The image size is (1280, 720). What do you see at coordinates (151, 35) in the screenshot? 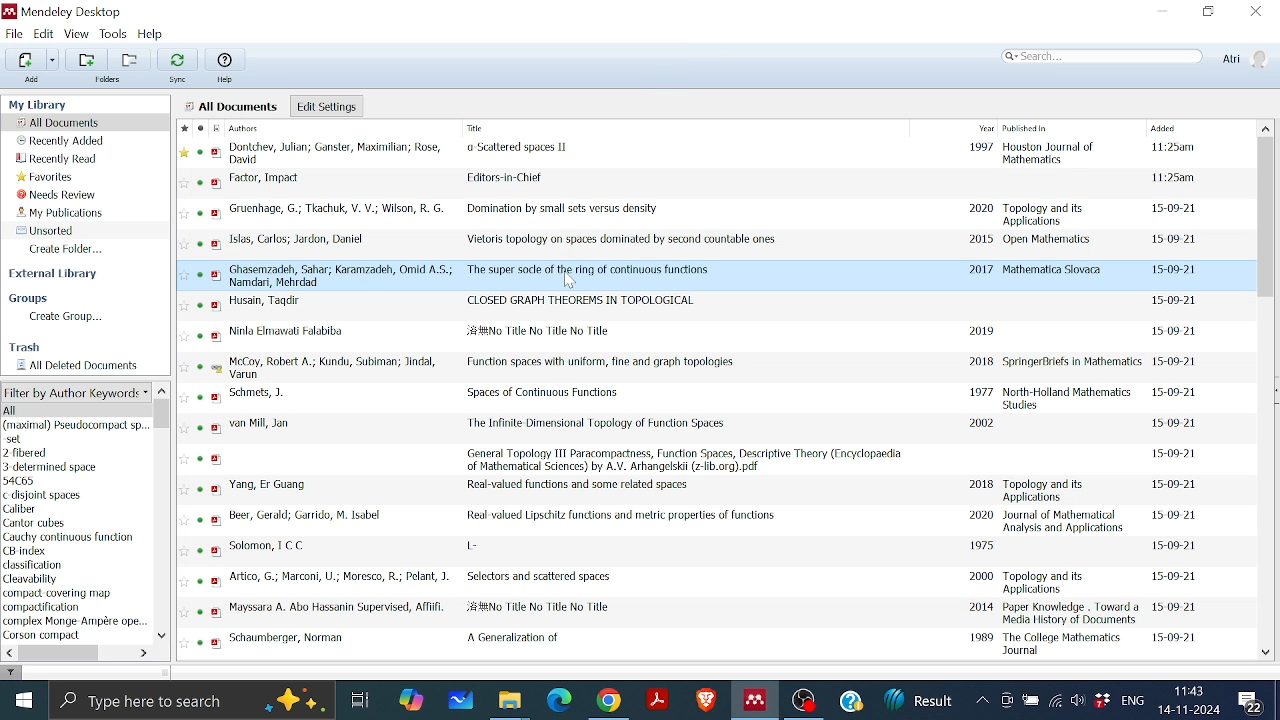
I see `Help` at bounding box center [151, 35].